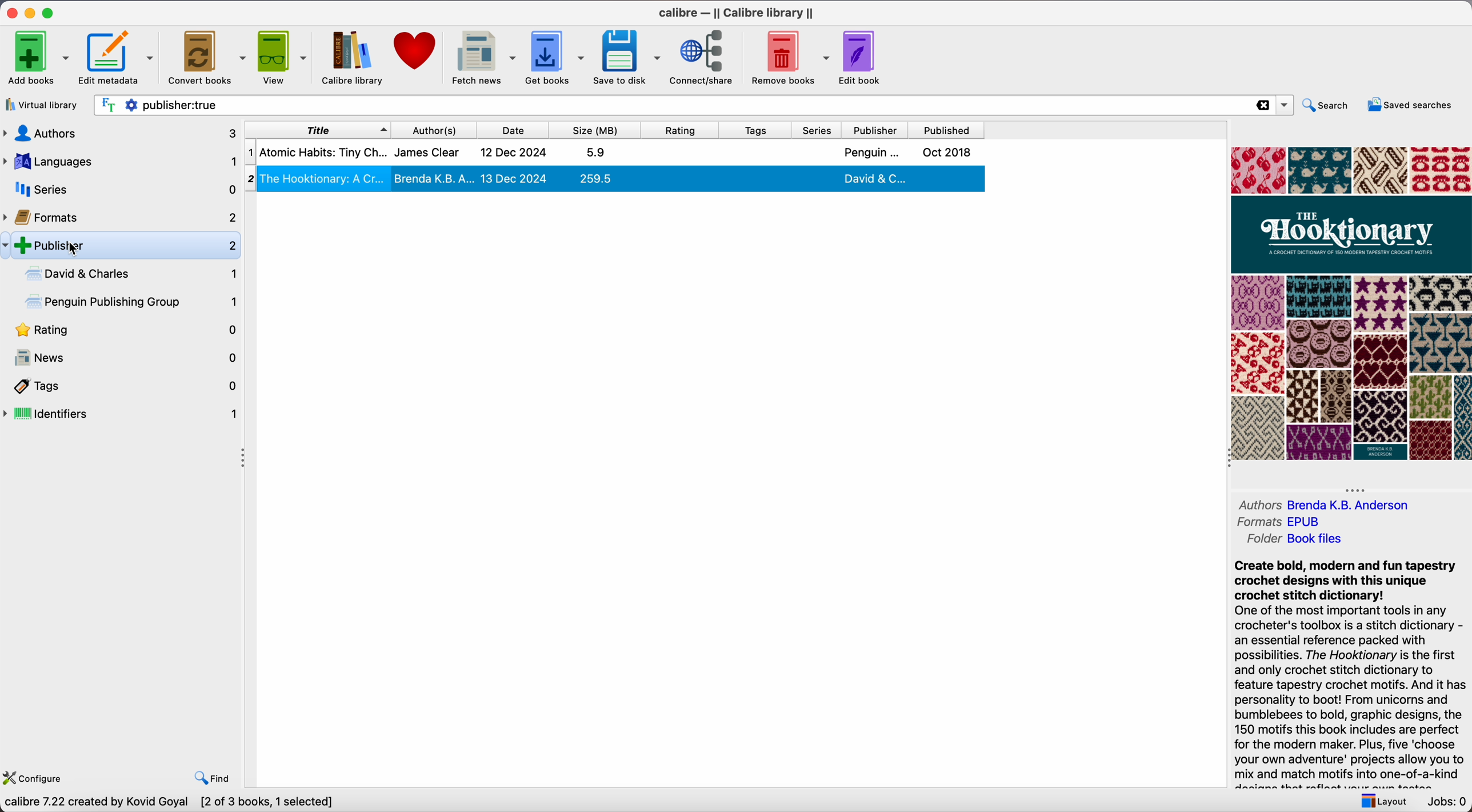 The image size is (1472, 812). What do you see at coordinates (1327, 104) in the screenshot?
I see `search` at bounding box center [1327, 104].